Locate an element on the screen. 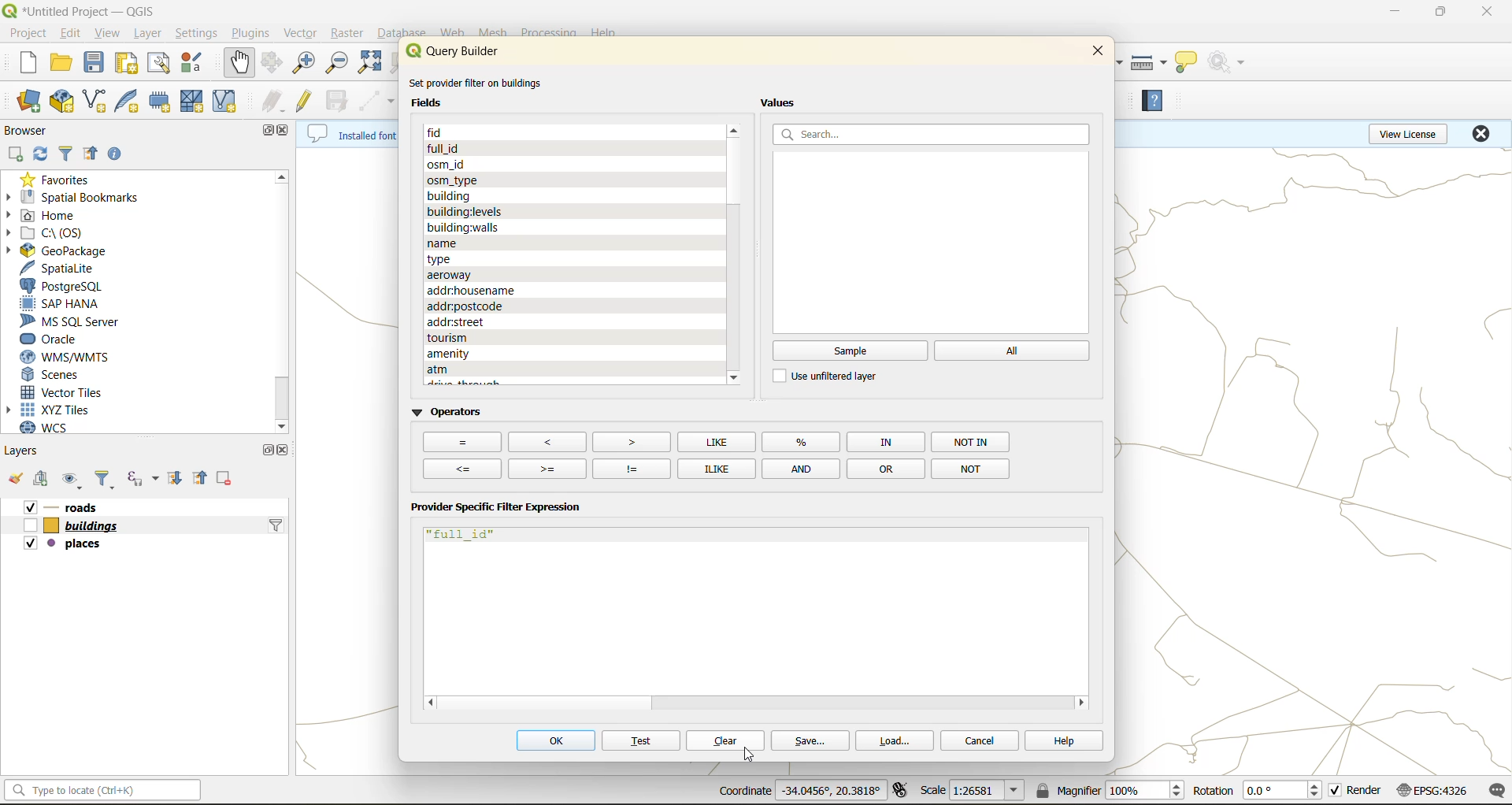 The image size is (1512, 805). new is located at coordinates (18, 64).